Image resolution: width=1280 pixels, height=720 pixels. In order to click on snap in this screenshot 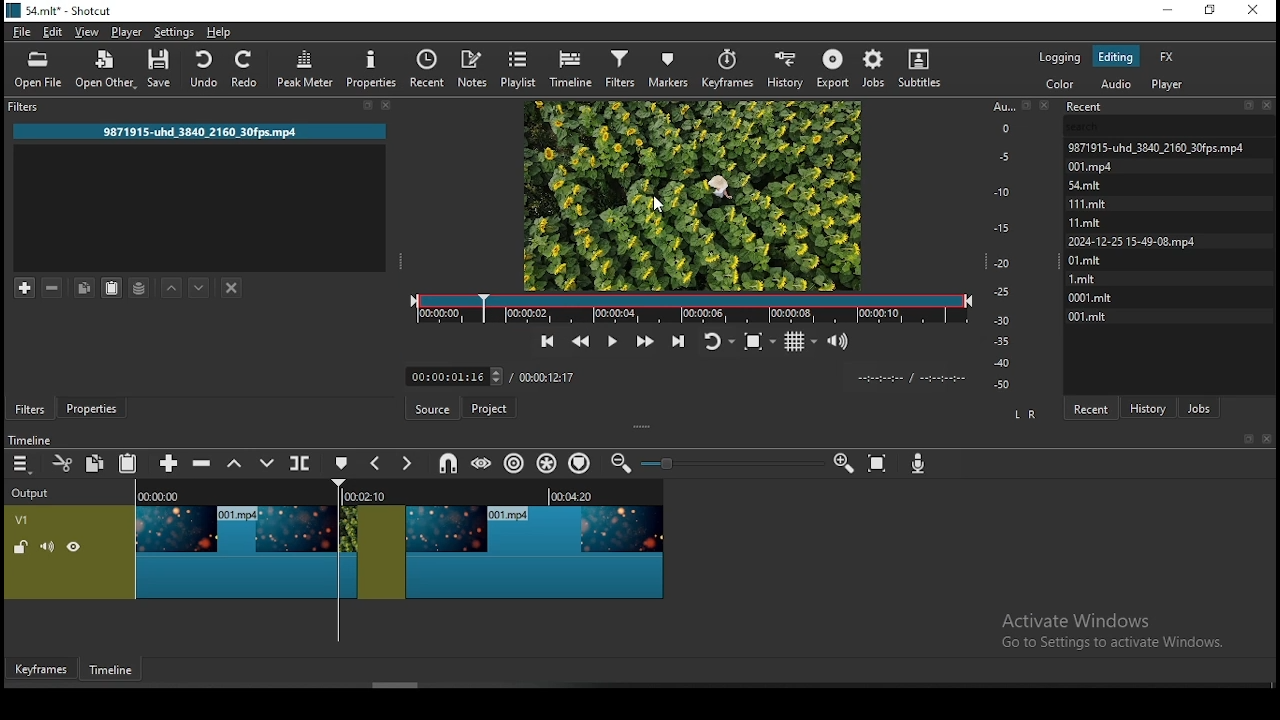, I will do `click(451, 462)`.